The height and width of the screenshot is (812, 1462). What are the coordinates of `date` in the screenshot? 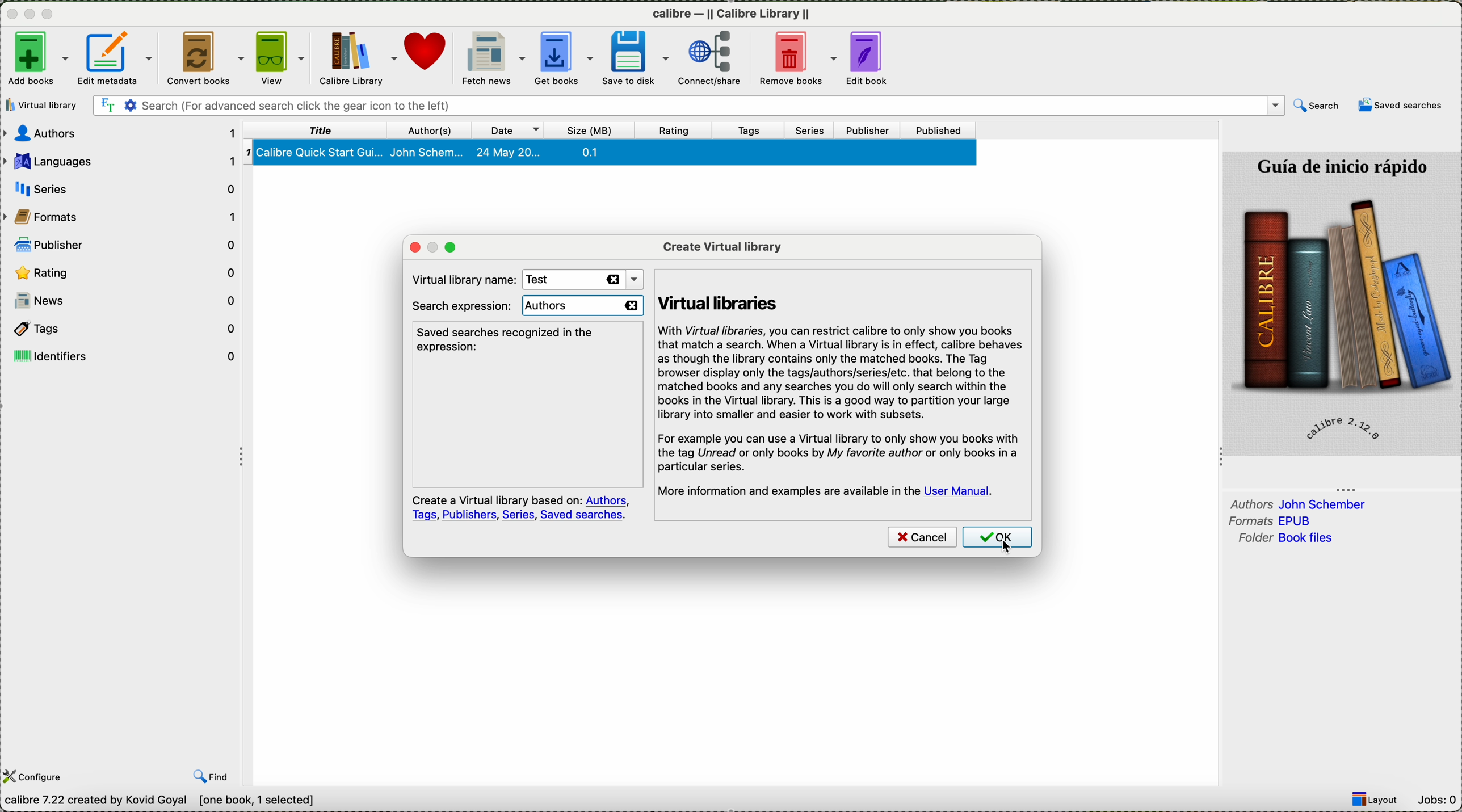 It's located at (512, 131).